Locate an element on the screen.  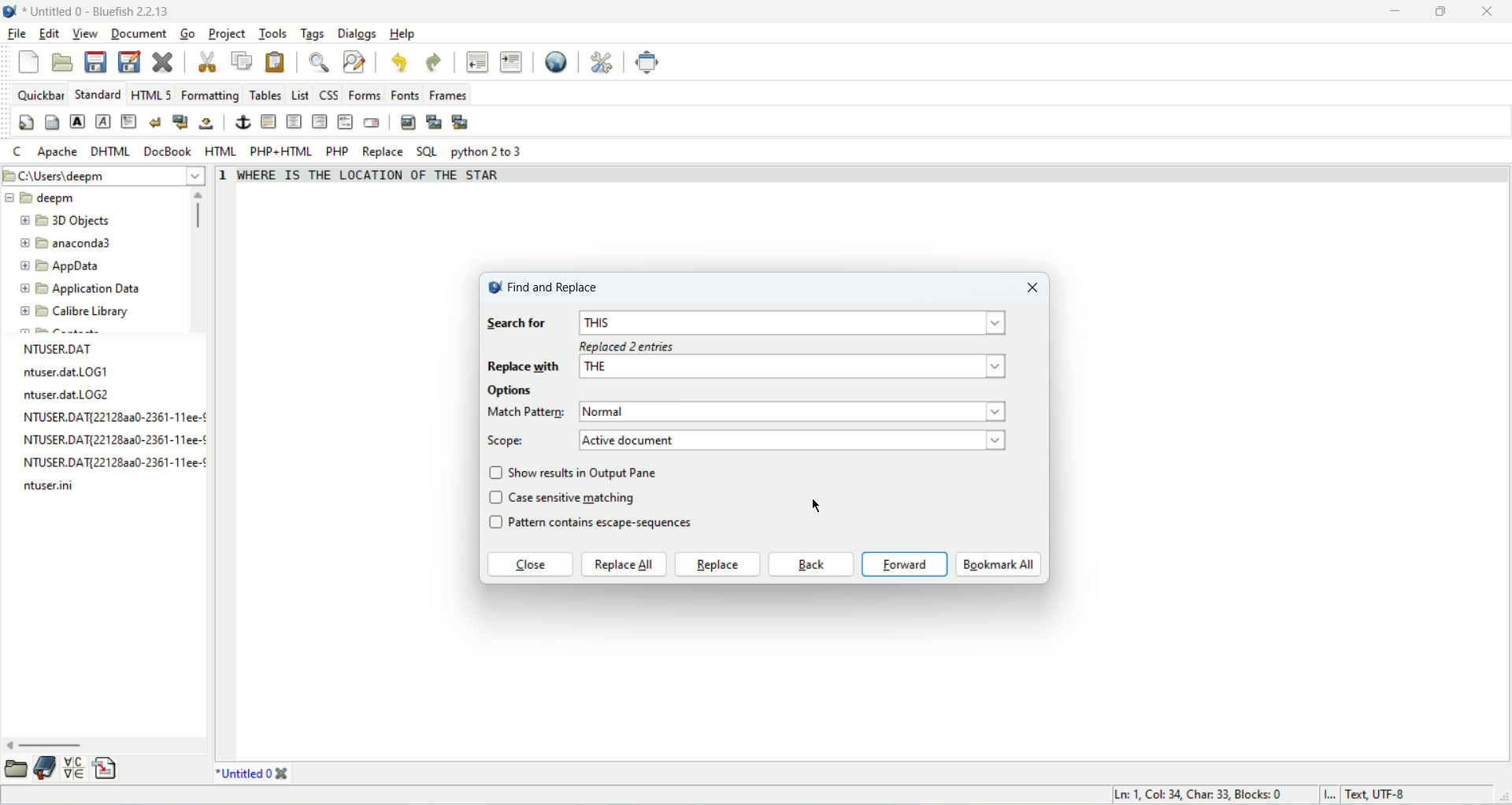
forms is located at coordinates (365, 95).